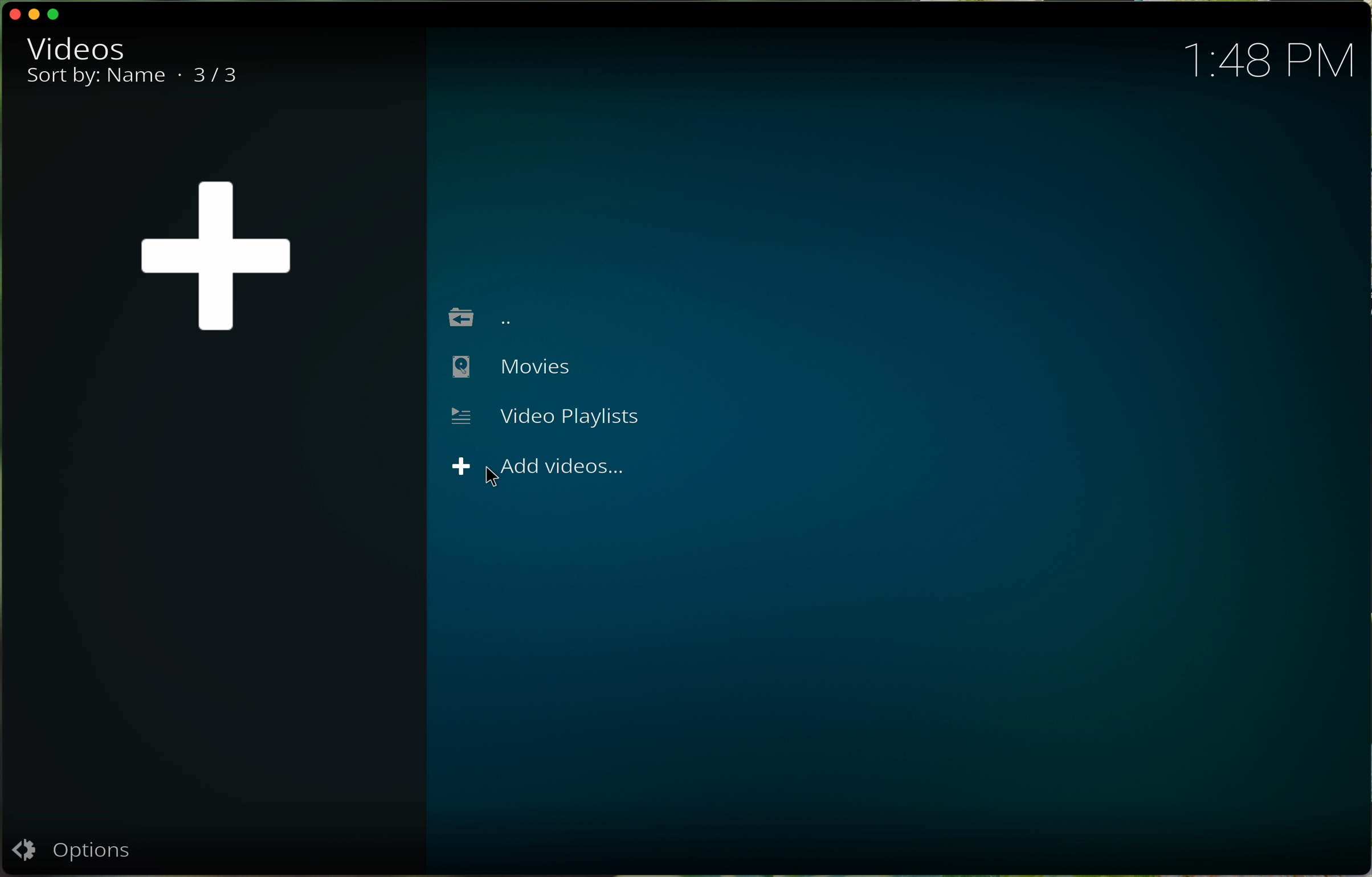 The width and height of the screenshot is (1372, 877). What do you see at coordinates (179, 74) in the screenshot?
I see `.` at bounding box center [179, 74].